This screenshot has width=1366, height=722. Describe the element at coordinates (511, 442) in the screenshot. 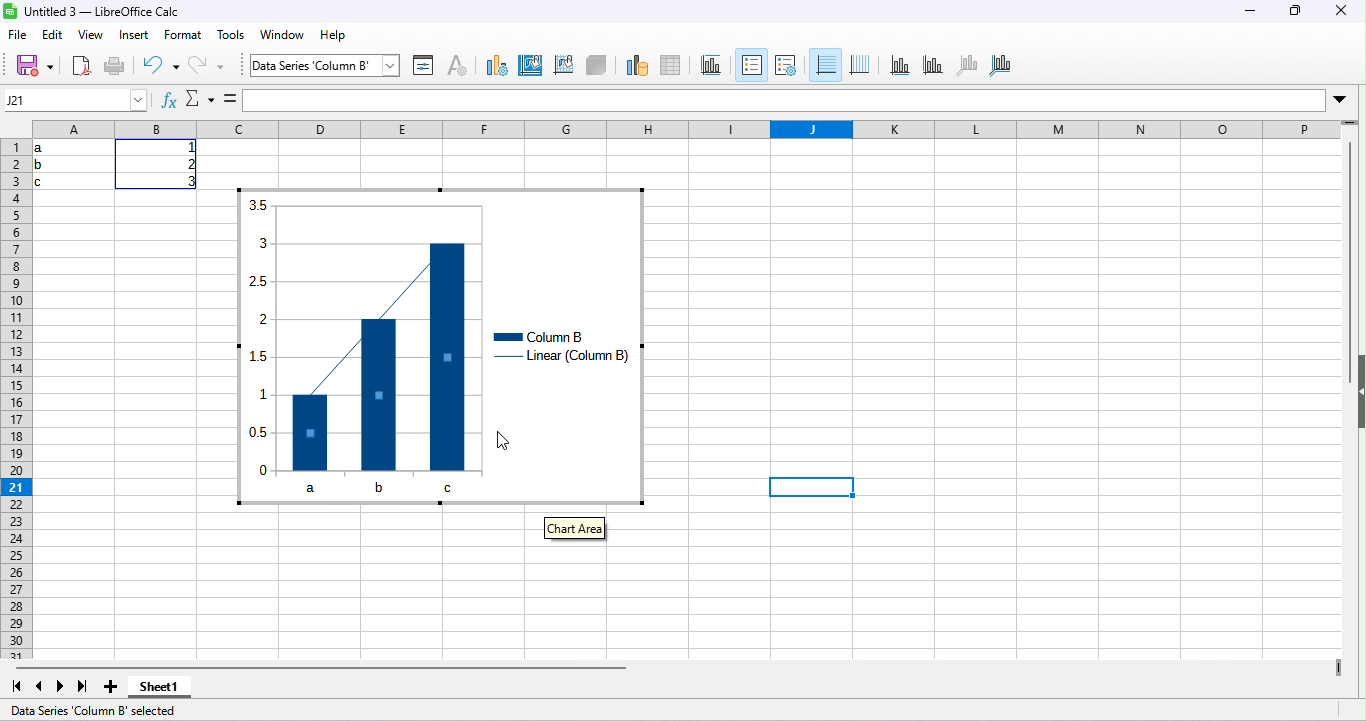

I see `cursor movement` at that location.